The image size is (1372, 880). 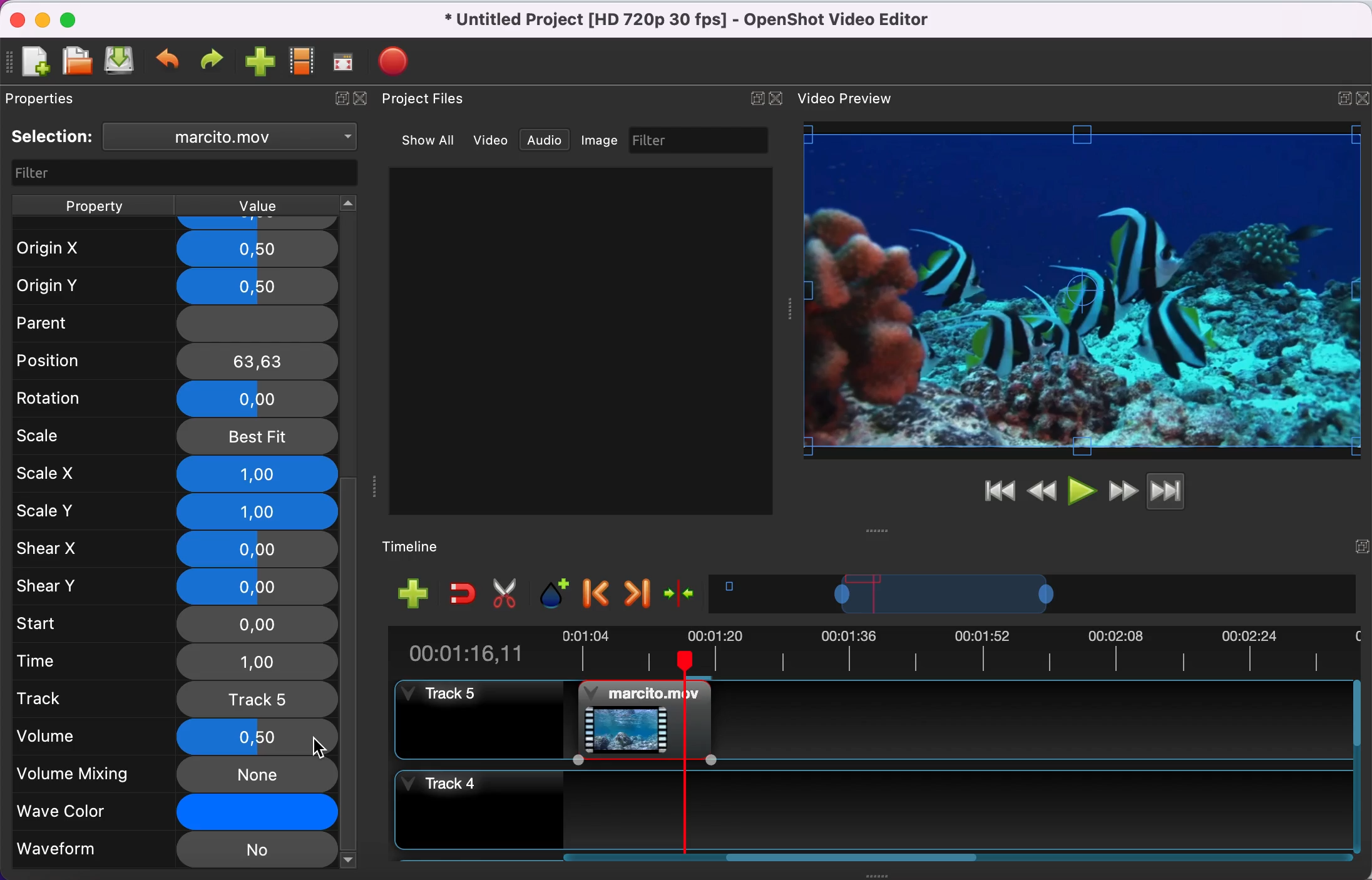 What do you see at coordinates (35, 61) in the screenshot?
I see `new file` at bounding box center [35, 61].